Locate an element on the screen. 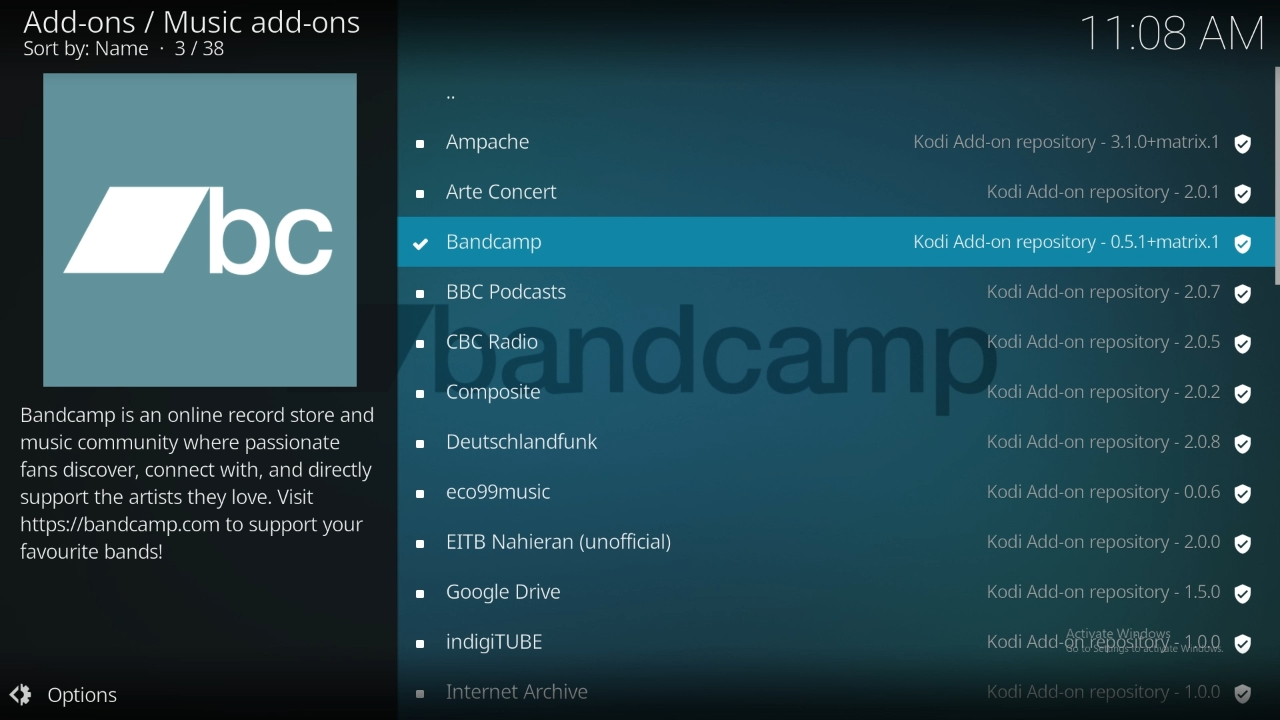  add on is located at coordinates (831, 344).